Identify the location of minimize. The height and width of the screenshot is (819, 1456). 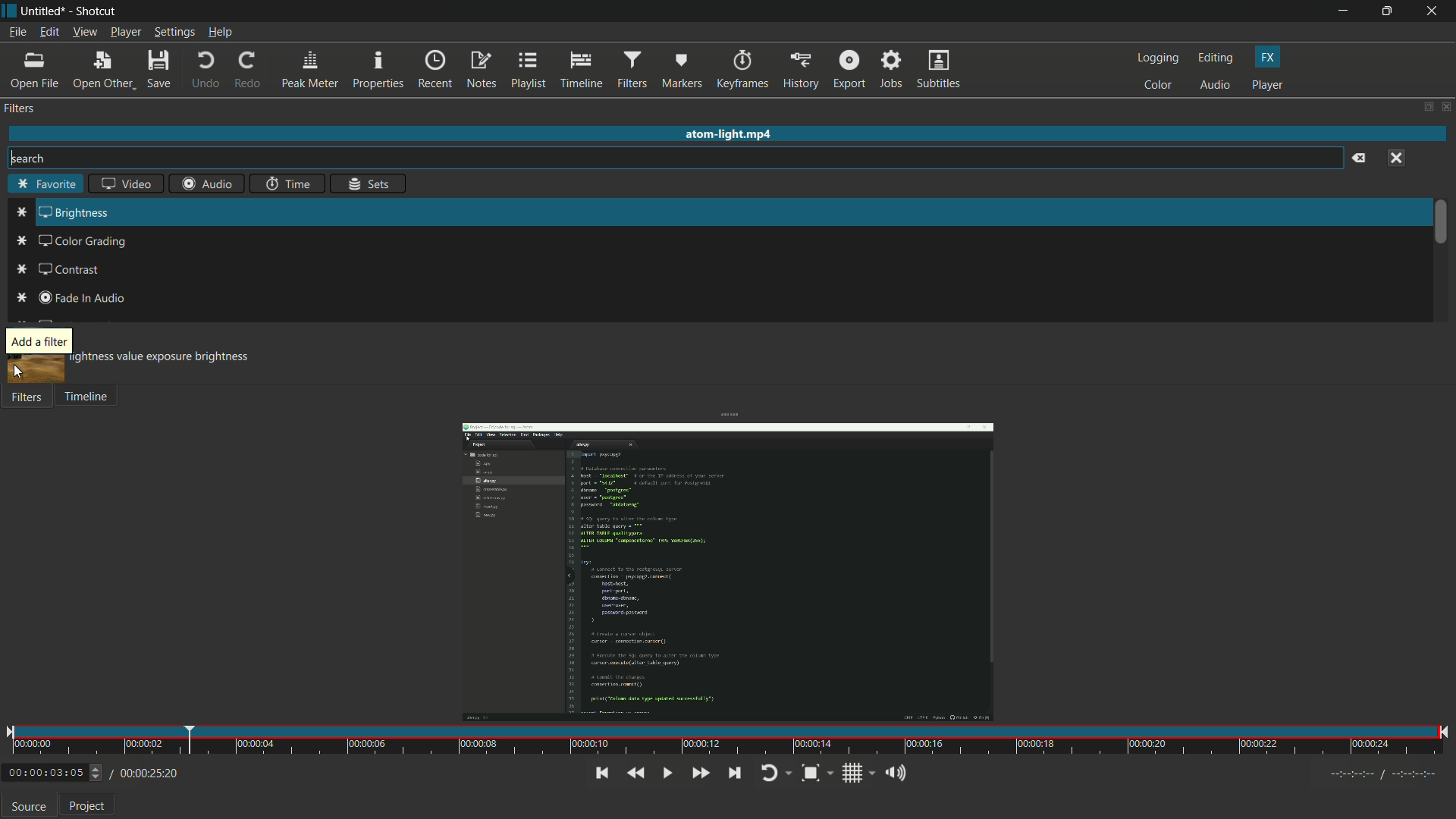
(1341, 11).